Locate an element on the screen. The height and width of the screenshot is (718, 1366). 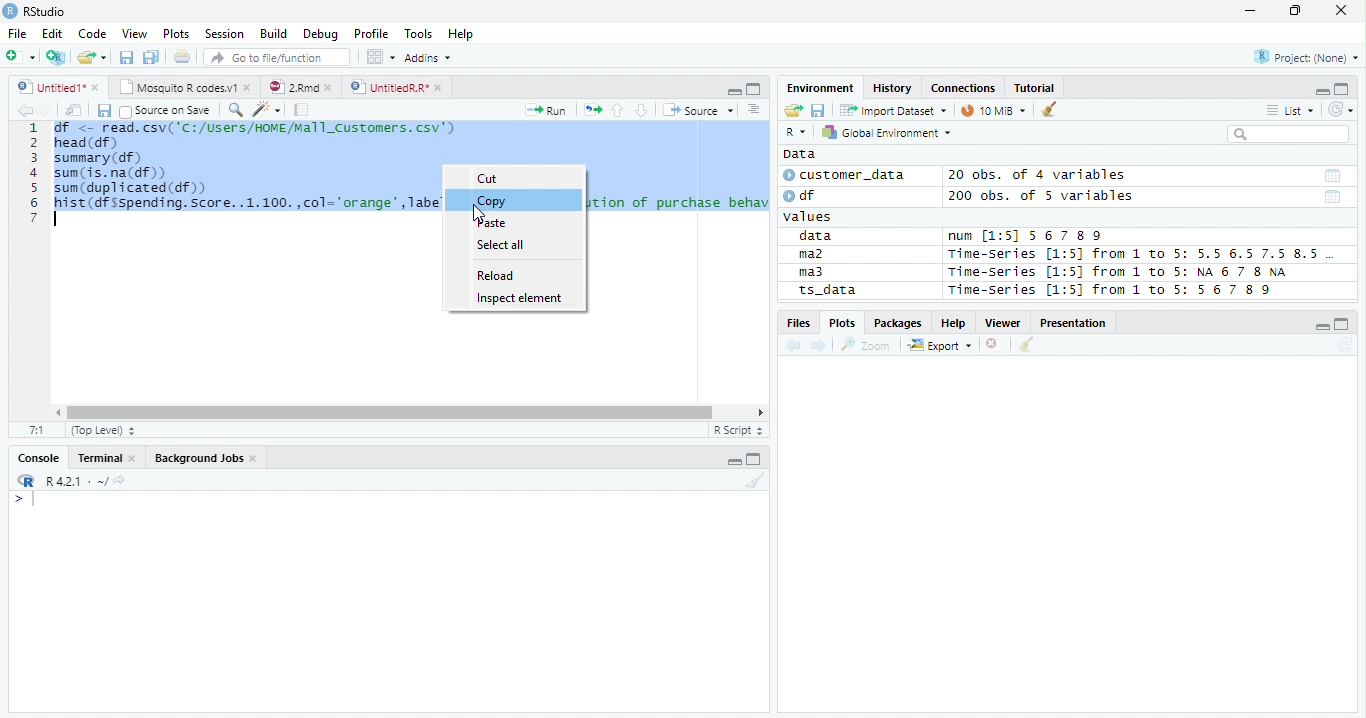
Code is located at coordinates (94, 34).